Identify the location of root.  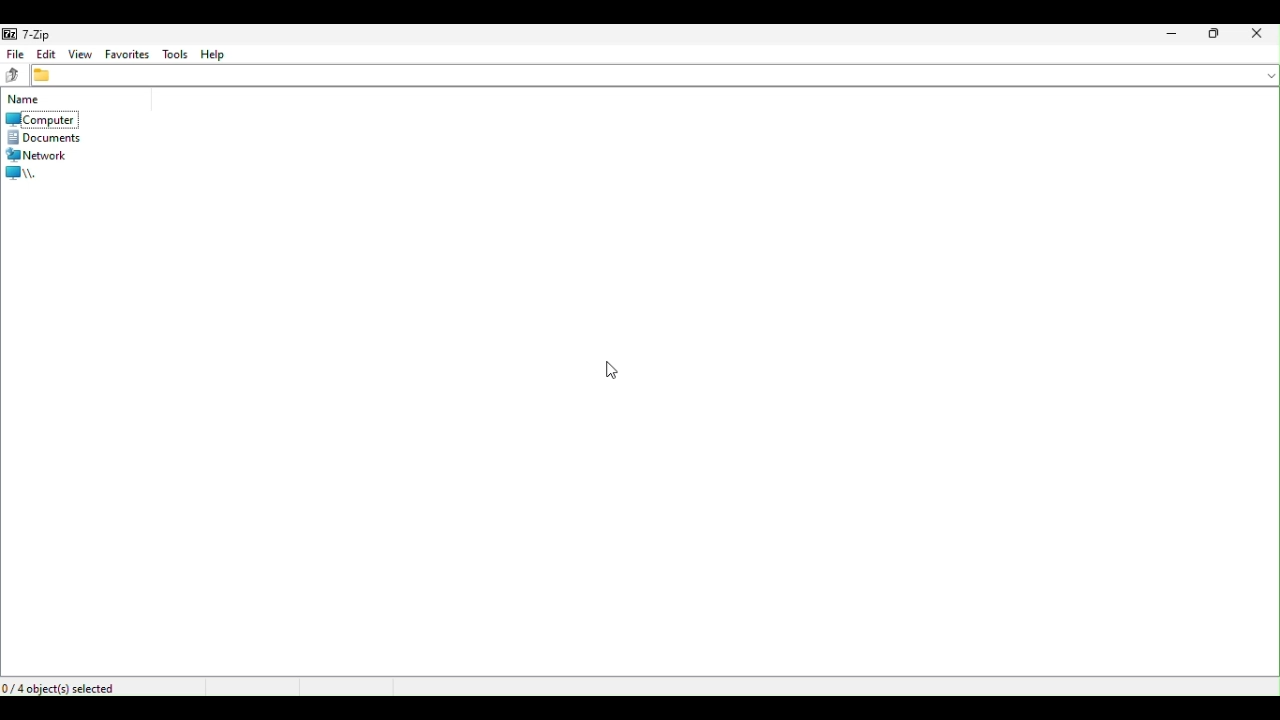
(25, 175).